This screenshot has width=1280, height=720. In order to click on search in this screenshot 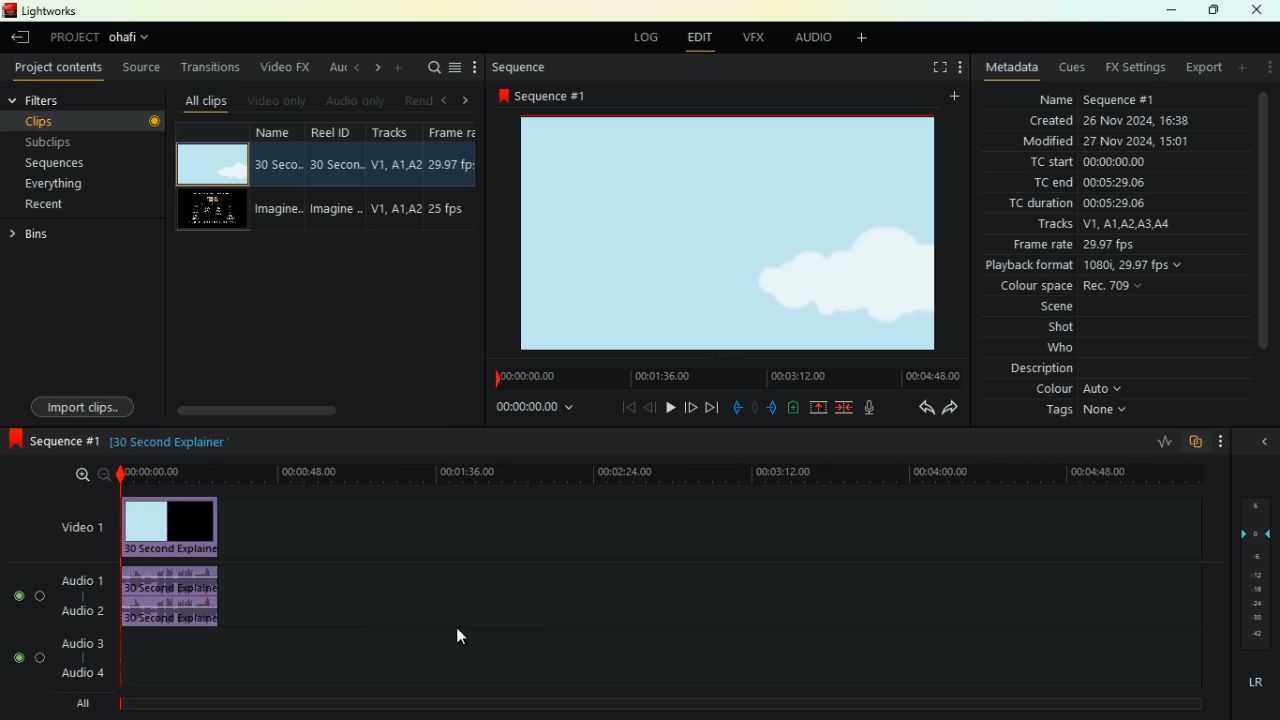, I will do `click(434, 69)`.